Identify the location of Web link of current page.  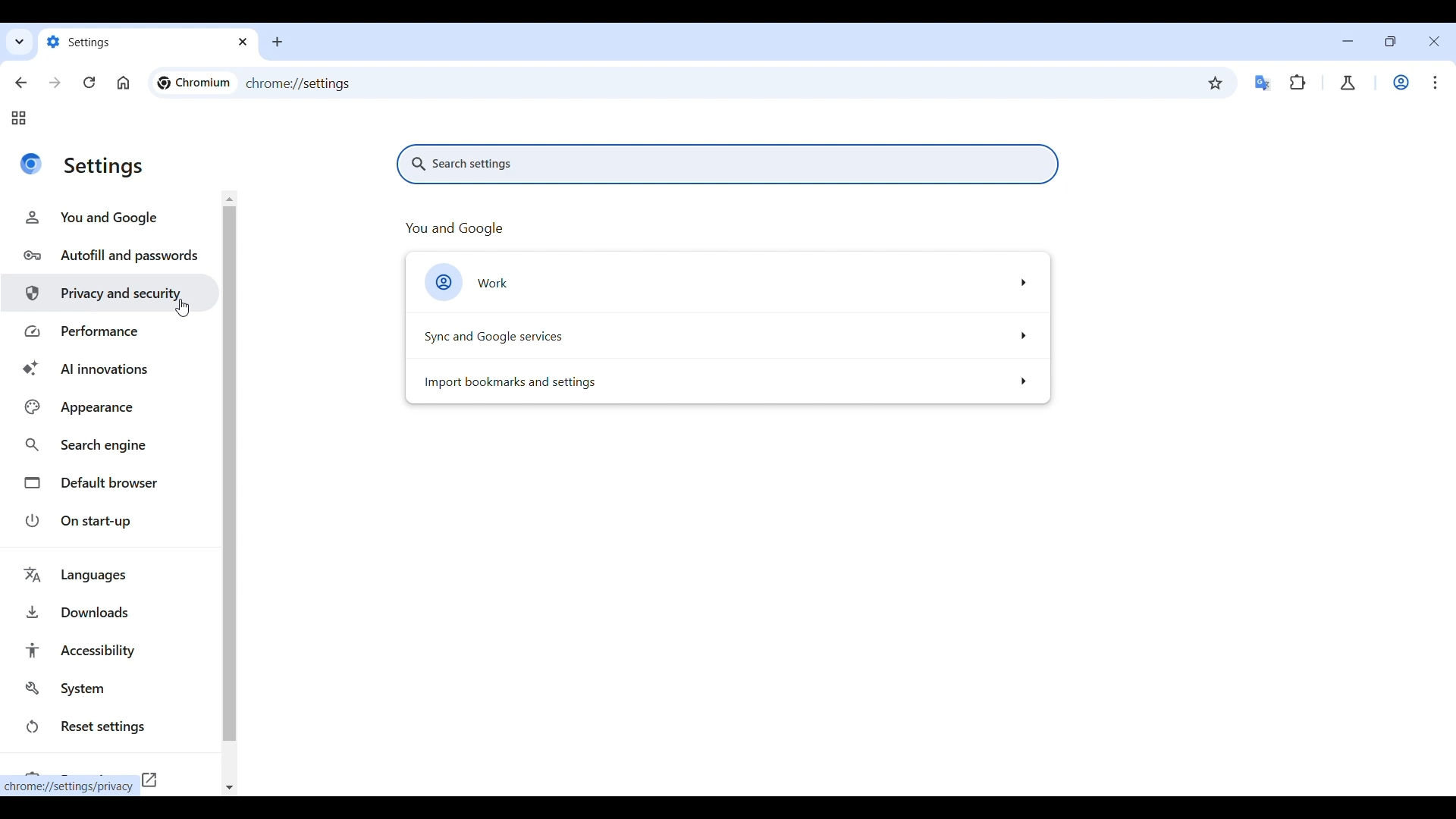
(298, 84).